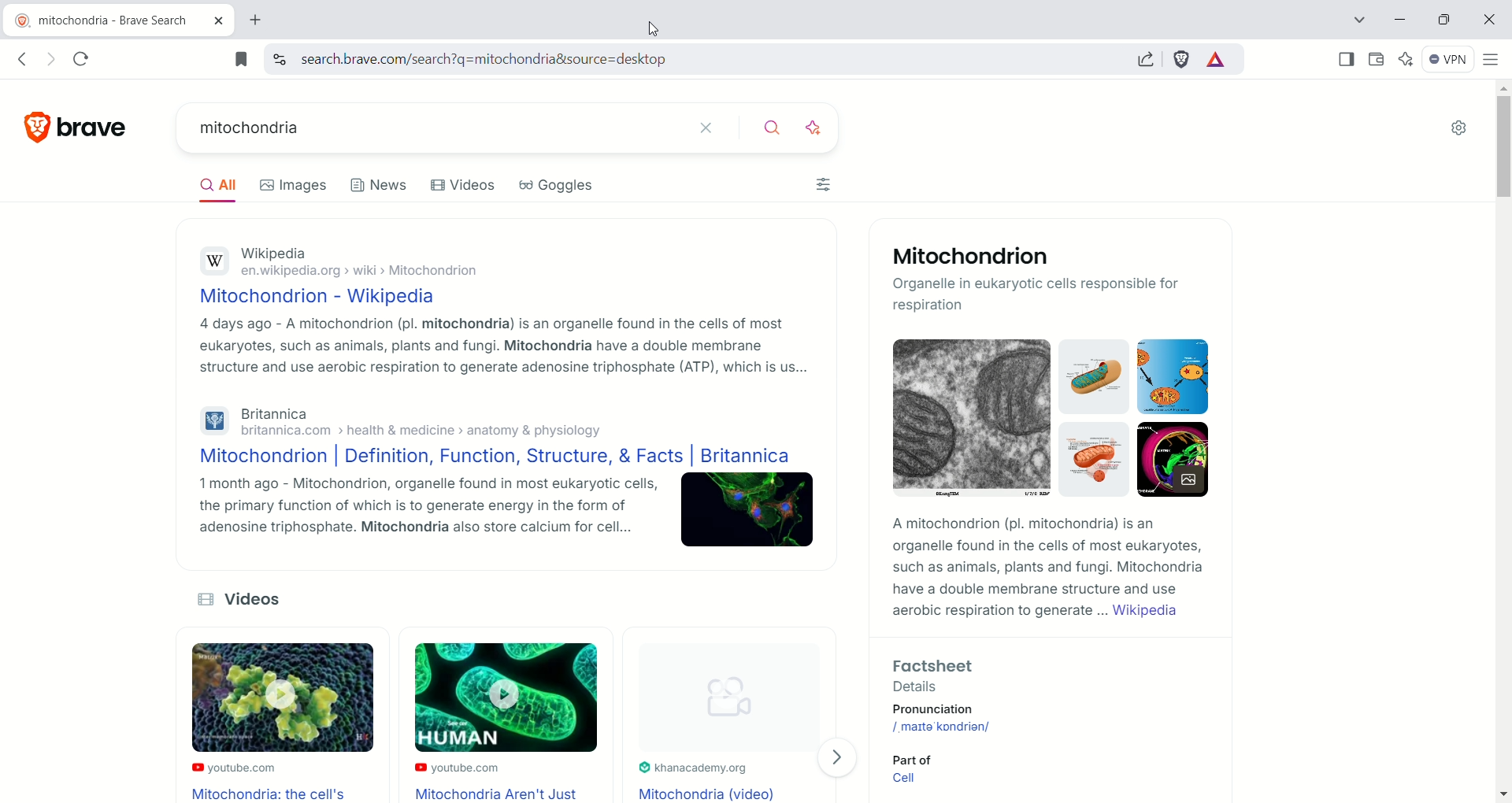 The width and height of the screenshot is (1512, 803). What do you see at coordinates (1461, 129) in the screenshot?
I see `settings` at bounding box center [1461, 129].